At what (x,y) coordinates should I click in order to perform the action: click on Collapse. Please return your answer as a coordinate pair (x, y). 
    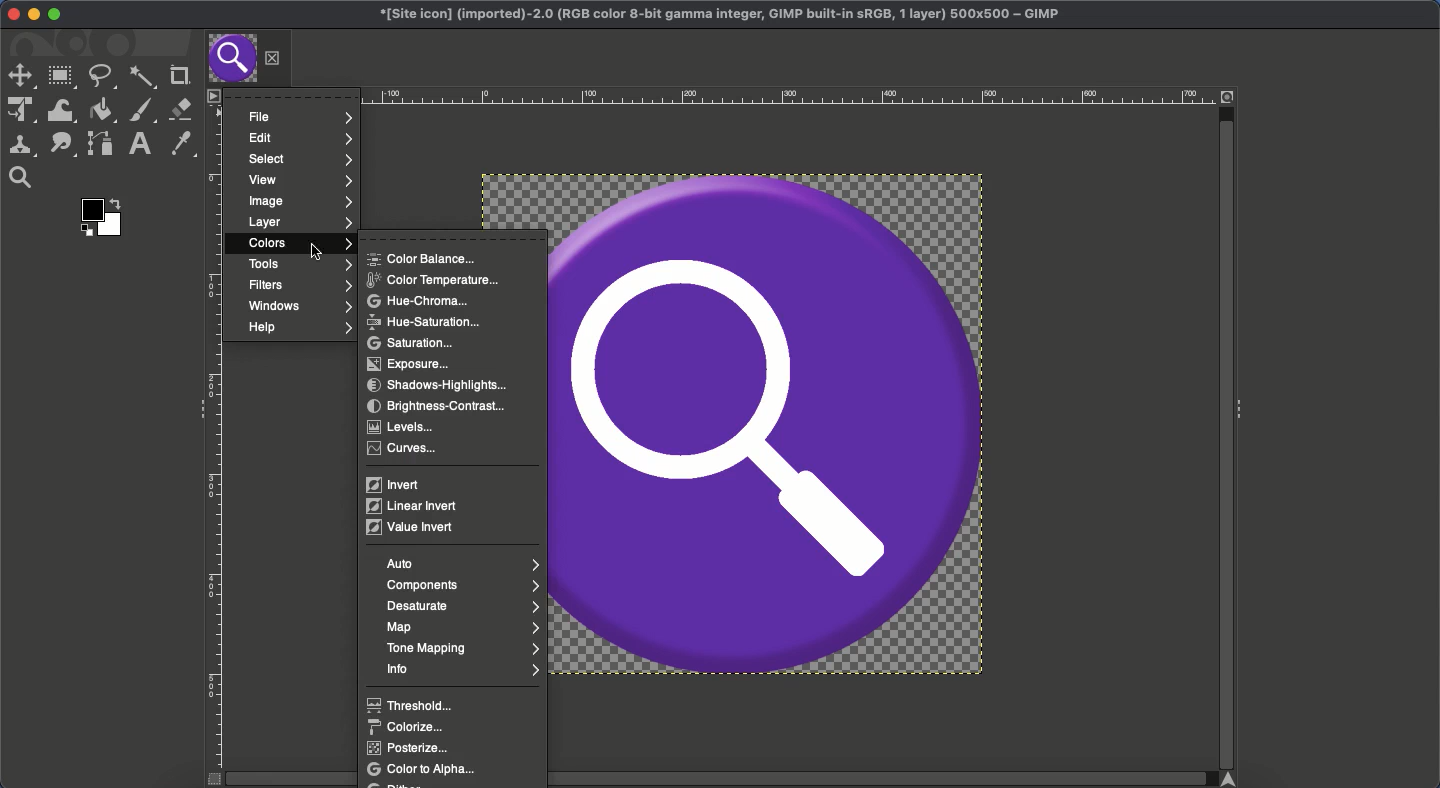
    Looking at the image, I should click on (197, 410).